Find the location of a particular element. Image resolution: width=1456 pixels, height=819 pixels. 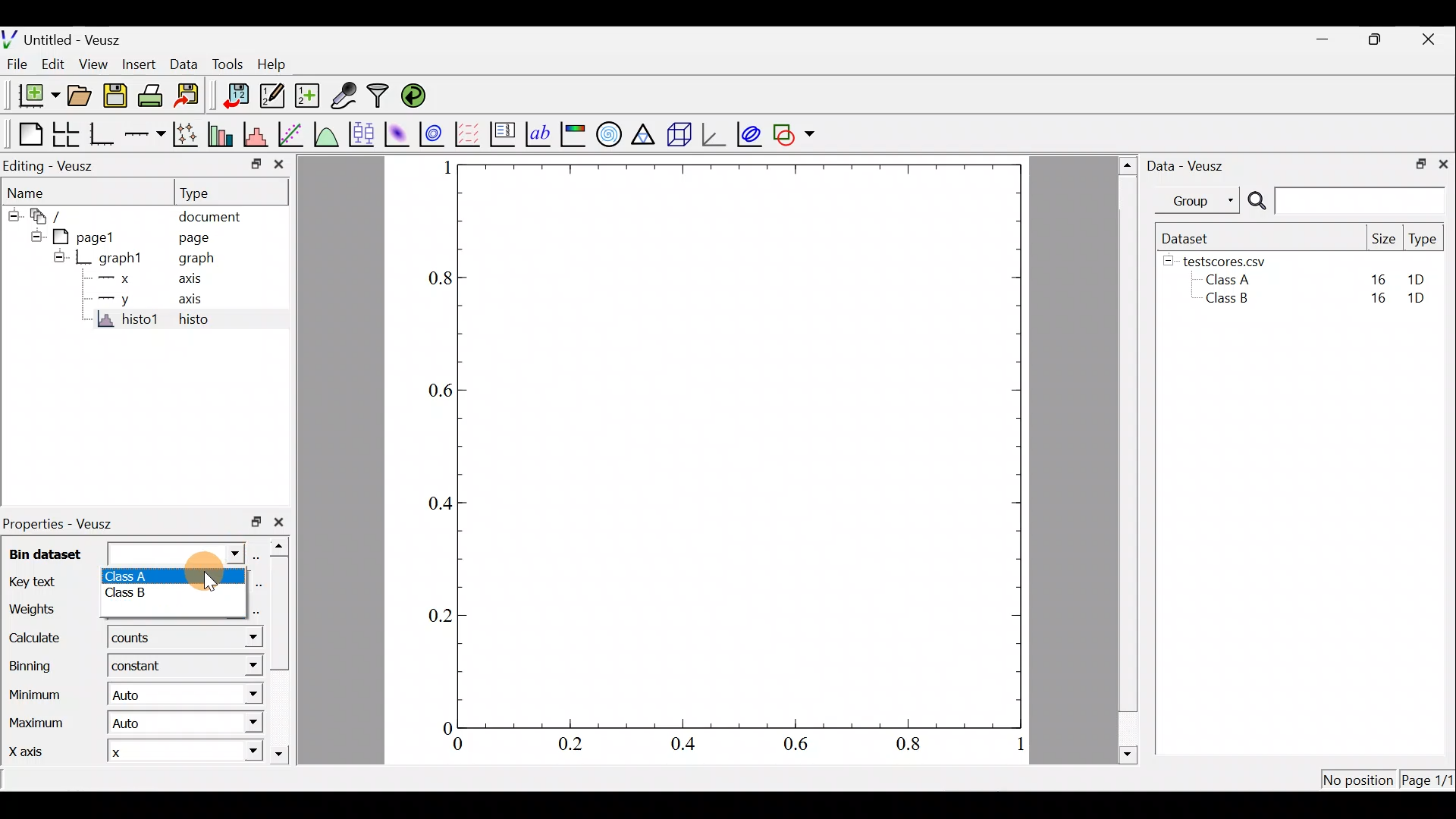

Size is located at coordinates (1384, 238).